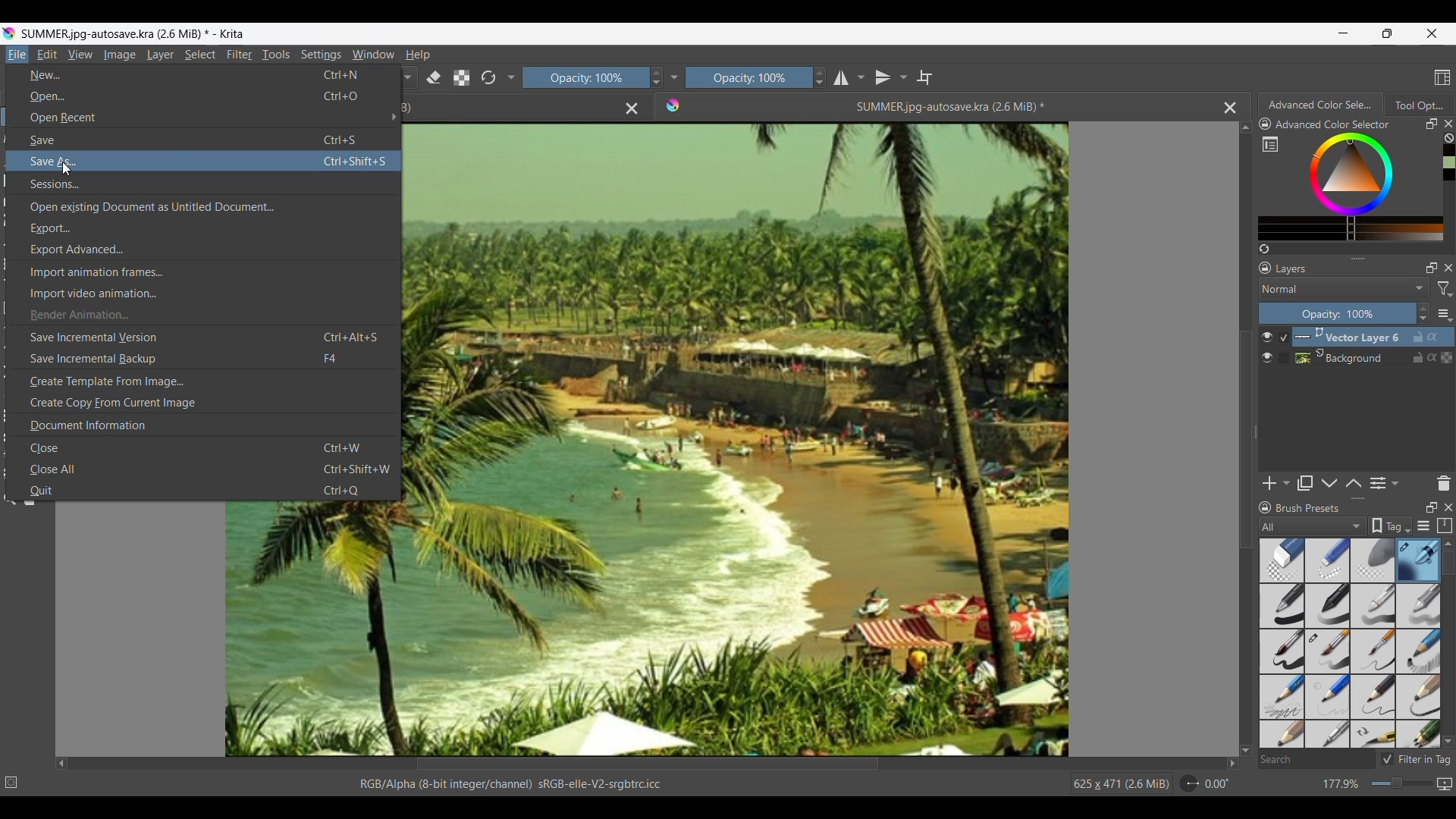  Describe the element at coordinates (891, 77) in the screenshot. I see `Vertical mirror tool and options` at that location.